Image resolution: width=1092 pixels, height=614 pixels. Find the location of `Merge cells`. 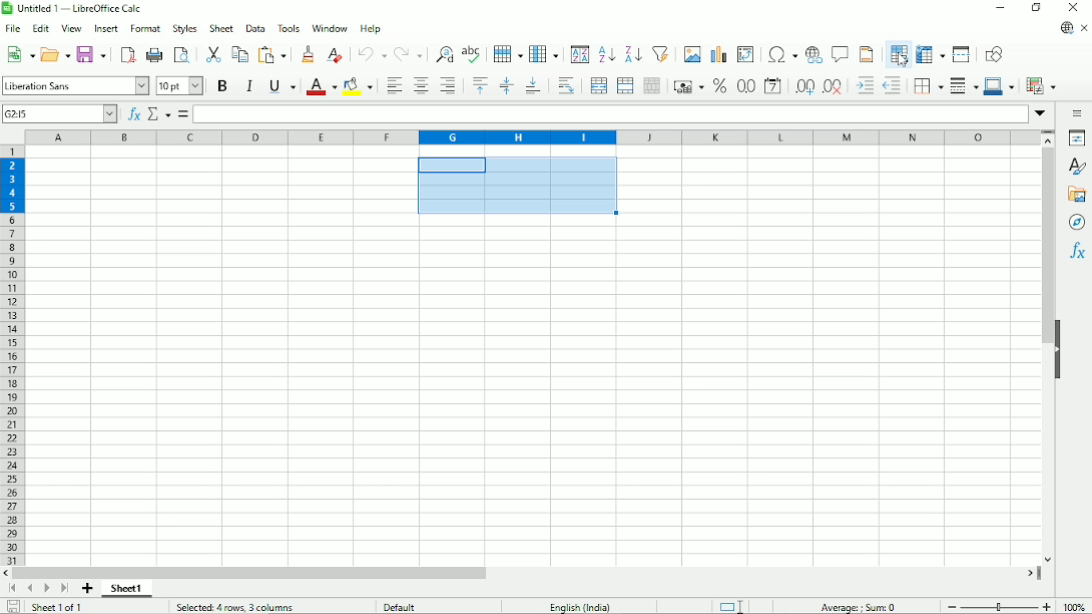

Merge cells is located at coordinates (625, 85).